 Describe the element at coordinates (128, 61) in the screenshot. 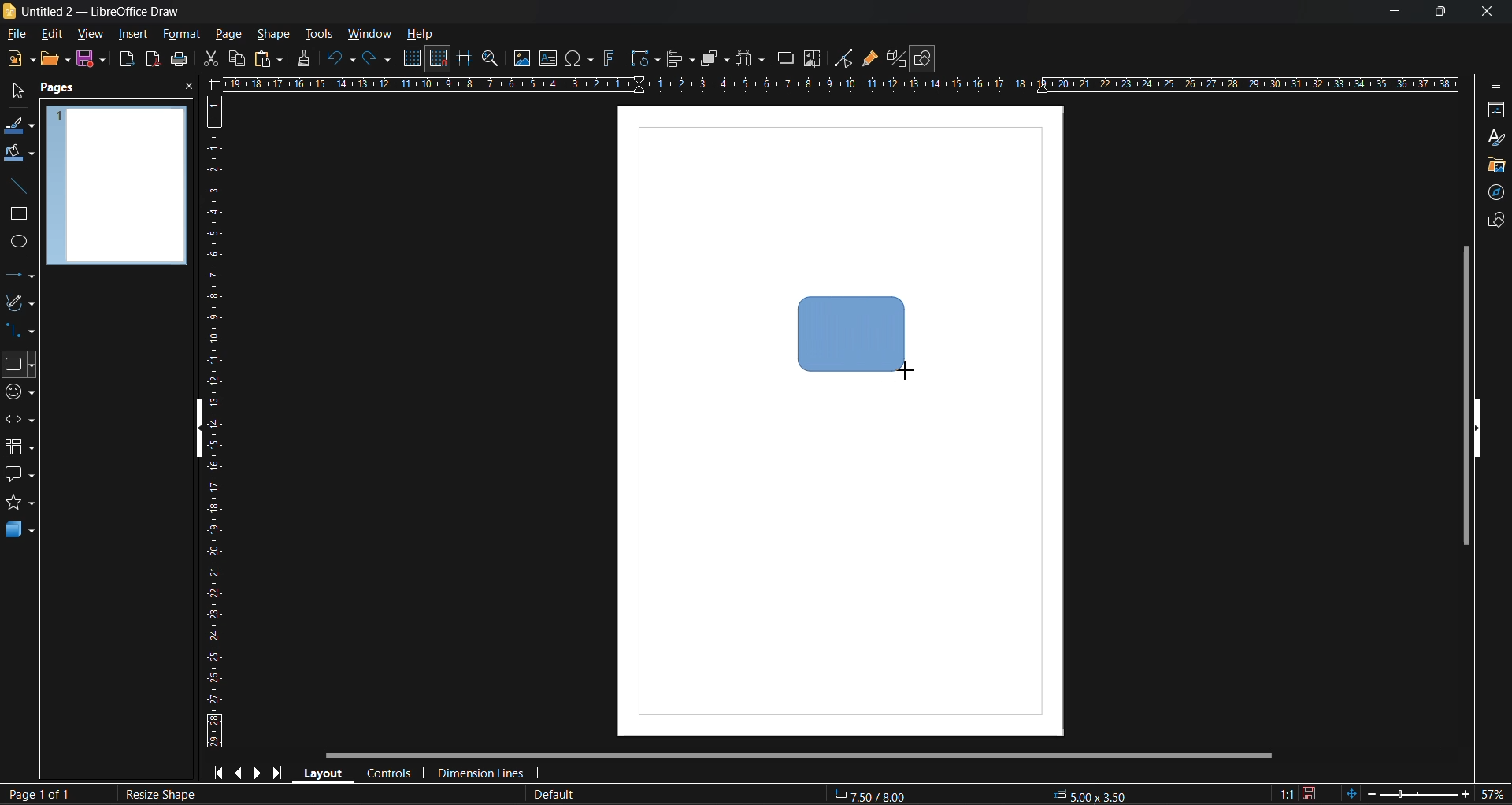

I see `export` at that location.